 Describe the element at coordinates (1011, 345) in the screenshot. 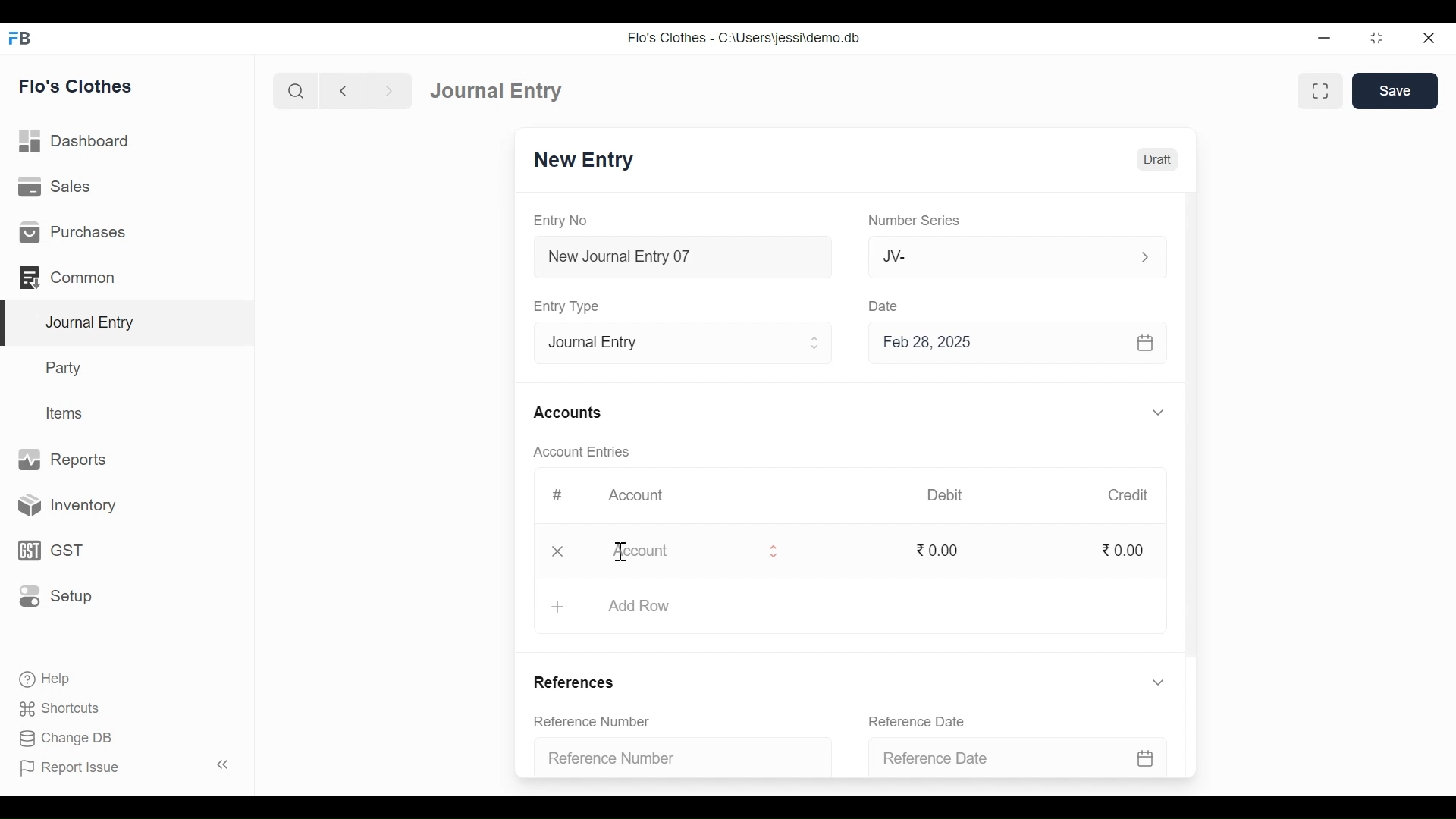

I see `Feb 28, 2025` at that location.